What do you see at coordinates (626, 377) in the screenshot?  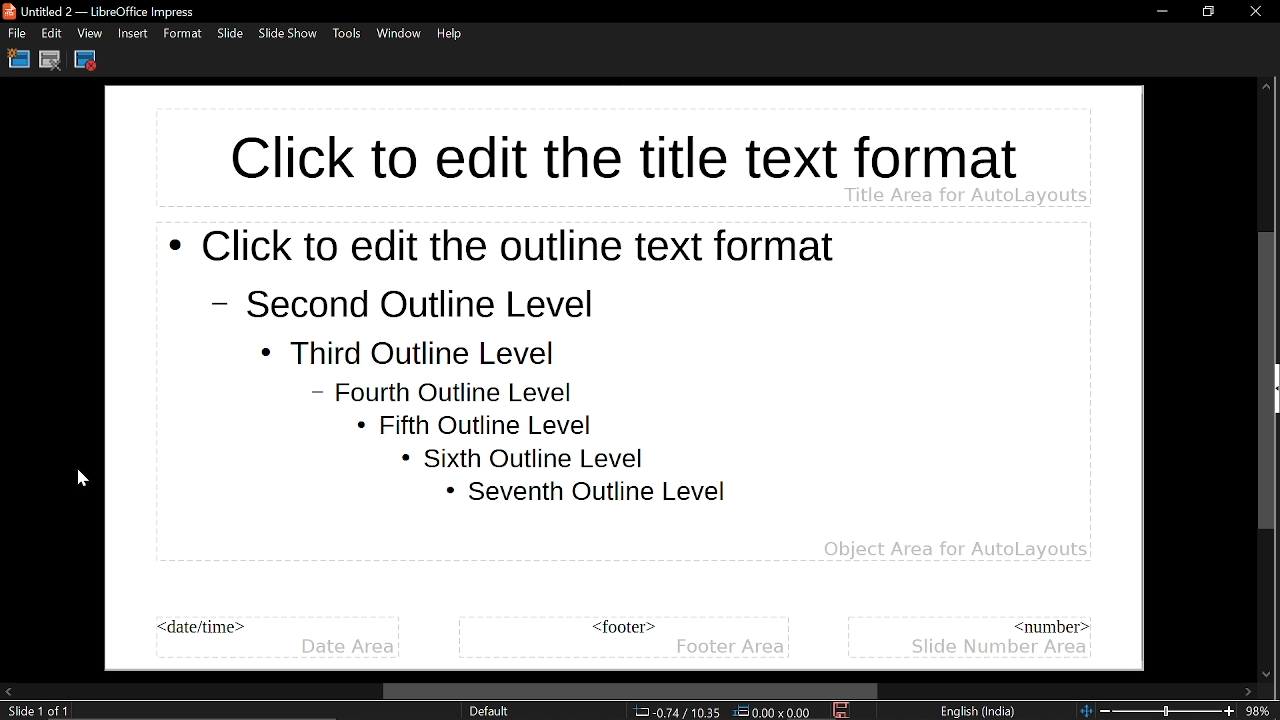 I see `Master slide view` at bounding box center [626, 377].